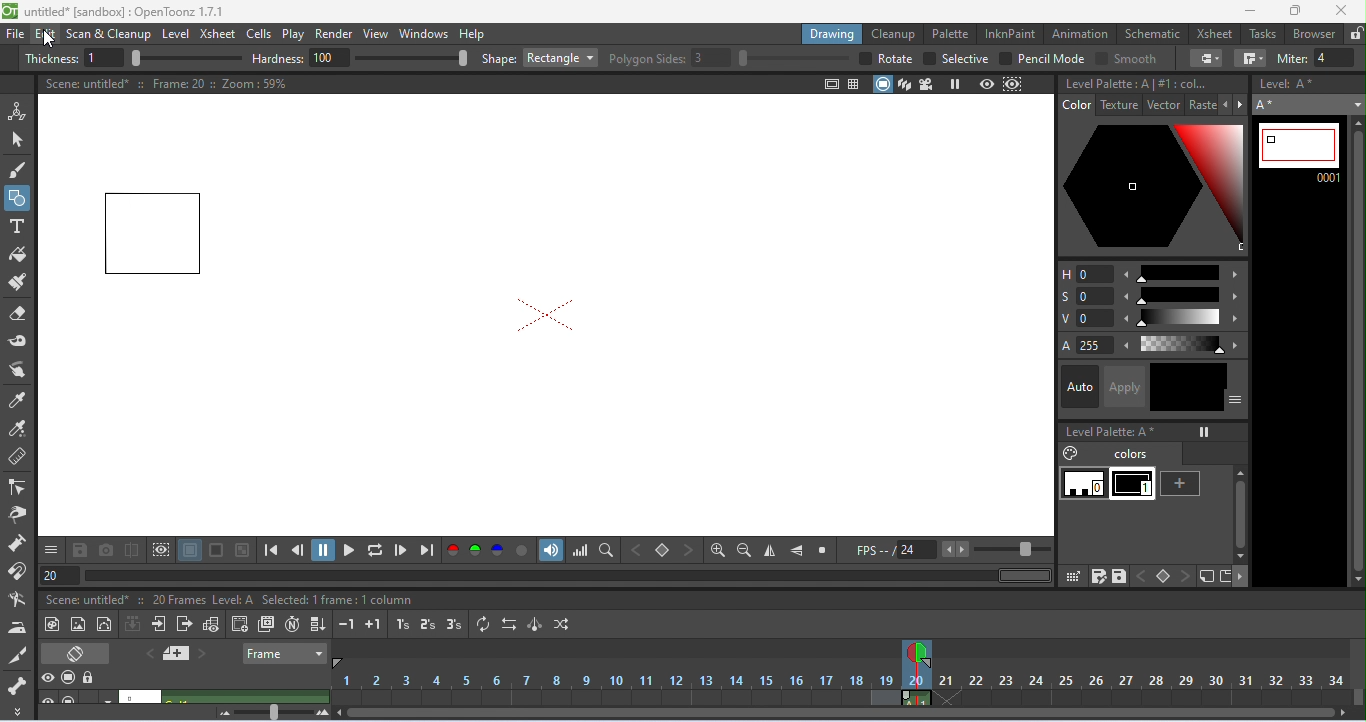 The width and height of the screenshot is (1366, 722). I want to click on swing, so click(534, 624).